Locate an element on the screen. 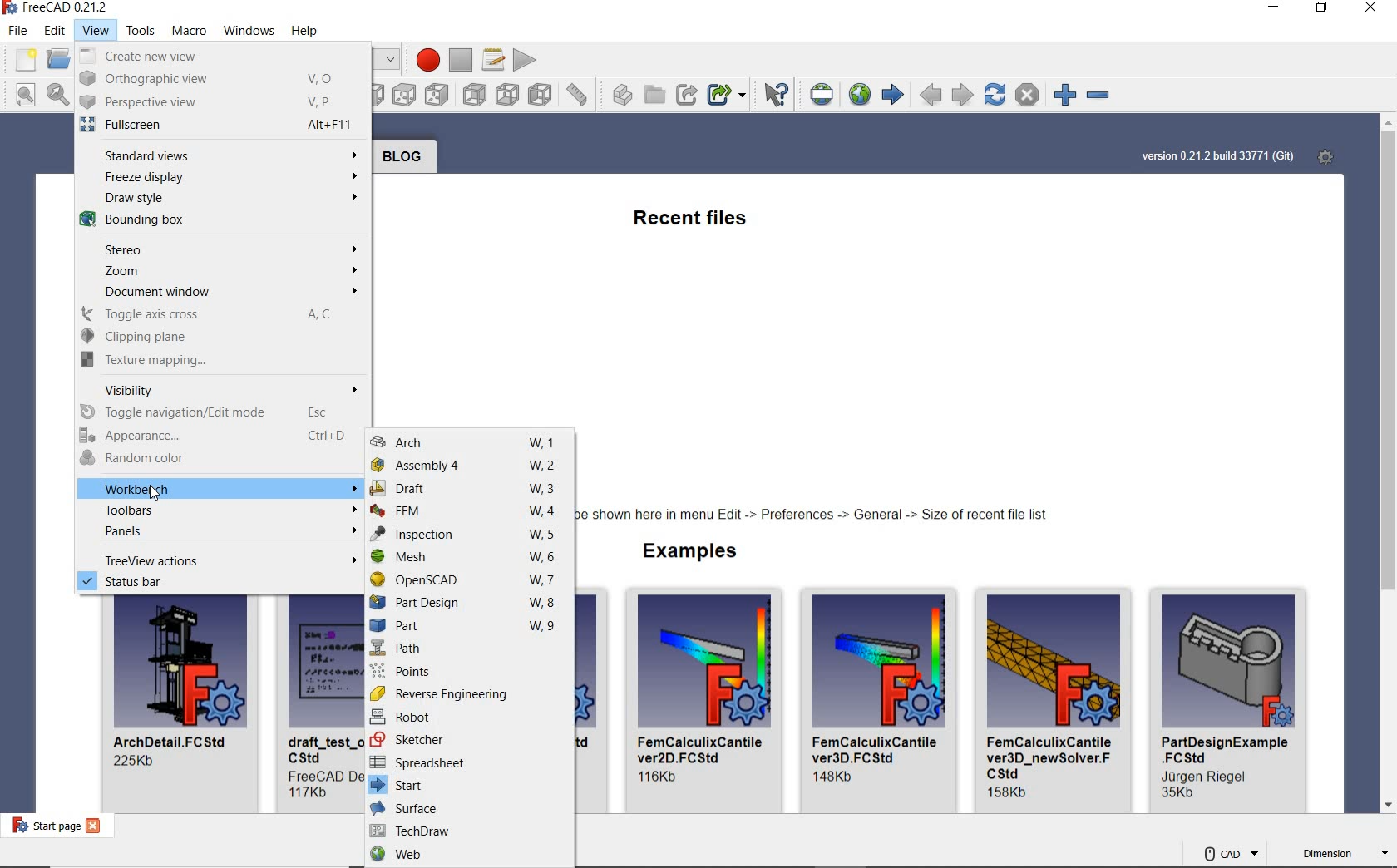 This screenshot has height=868, width=1397. macro is located at coordinates (189, 31).